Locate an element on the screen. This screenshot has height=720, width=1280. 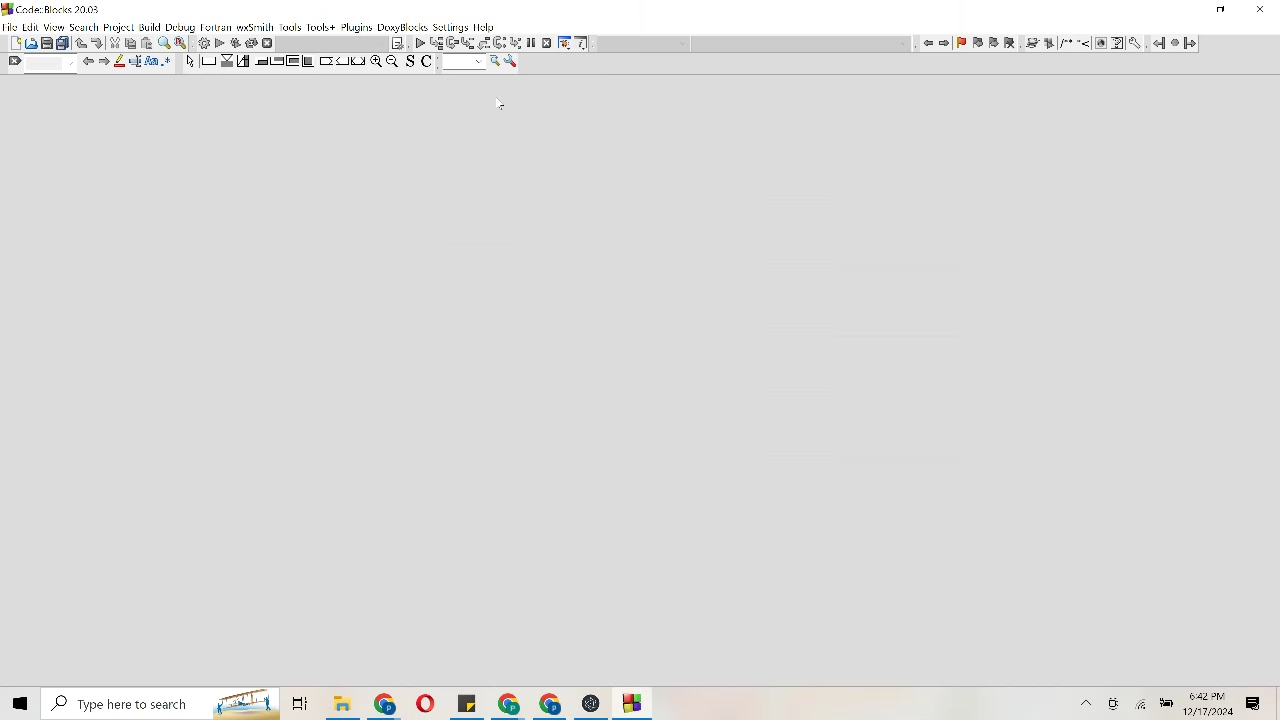
Information is located at coordinates (583, 44).